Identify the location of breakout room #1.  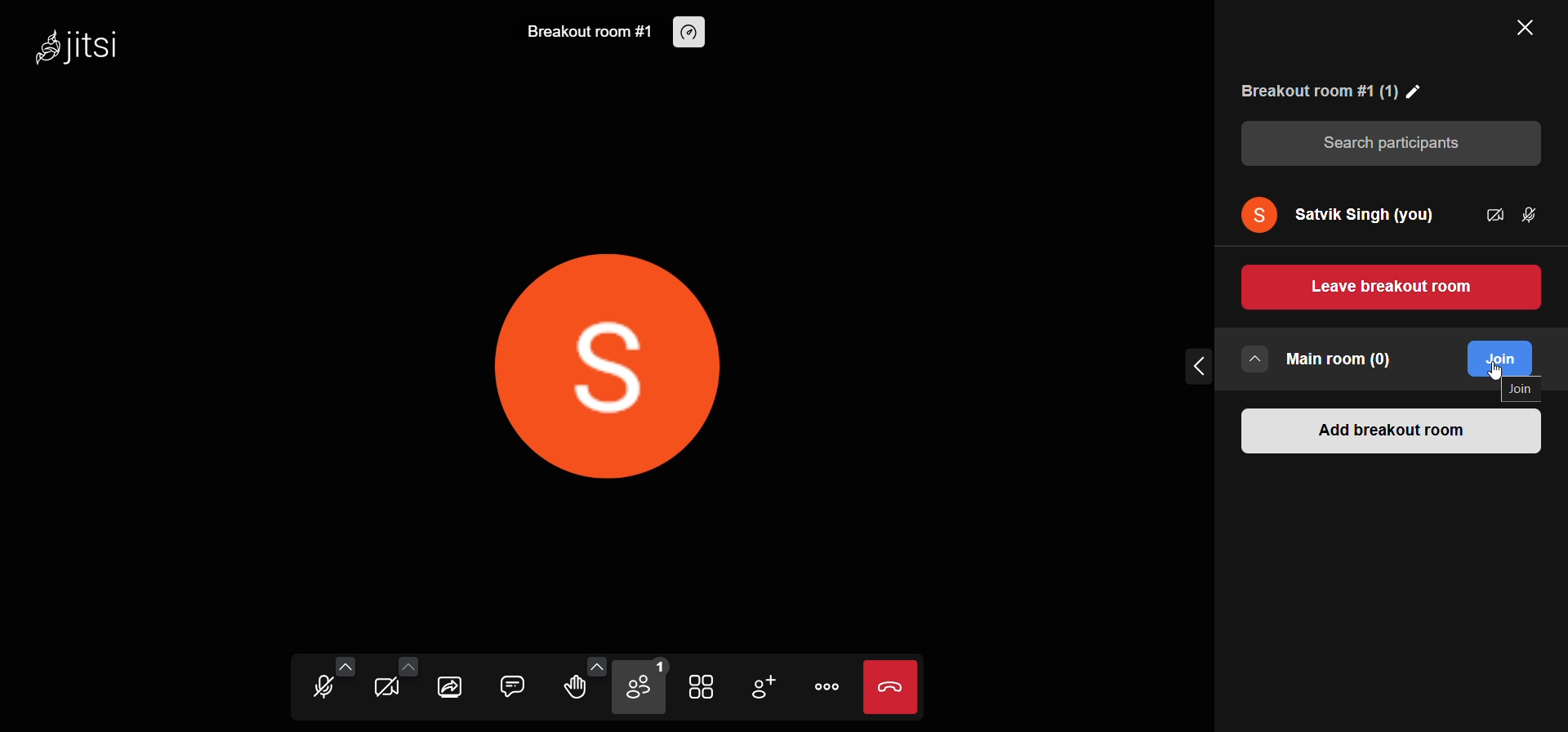
(586, 31).